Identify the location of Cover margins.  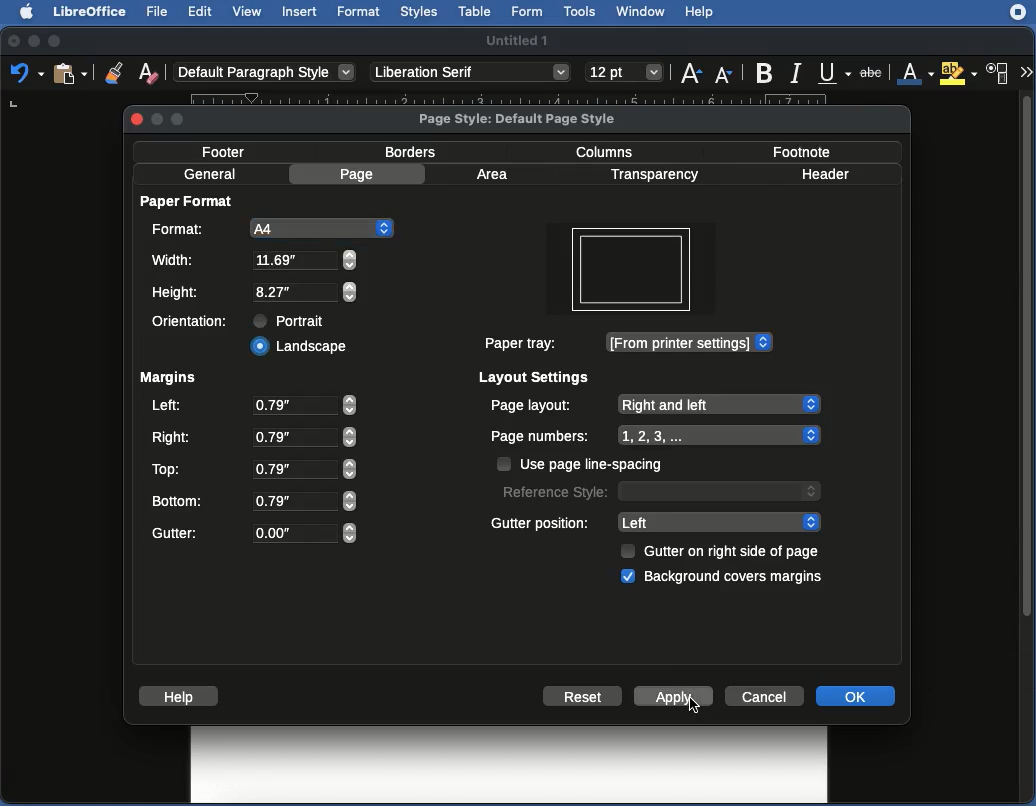
(737, 579).